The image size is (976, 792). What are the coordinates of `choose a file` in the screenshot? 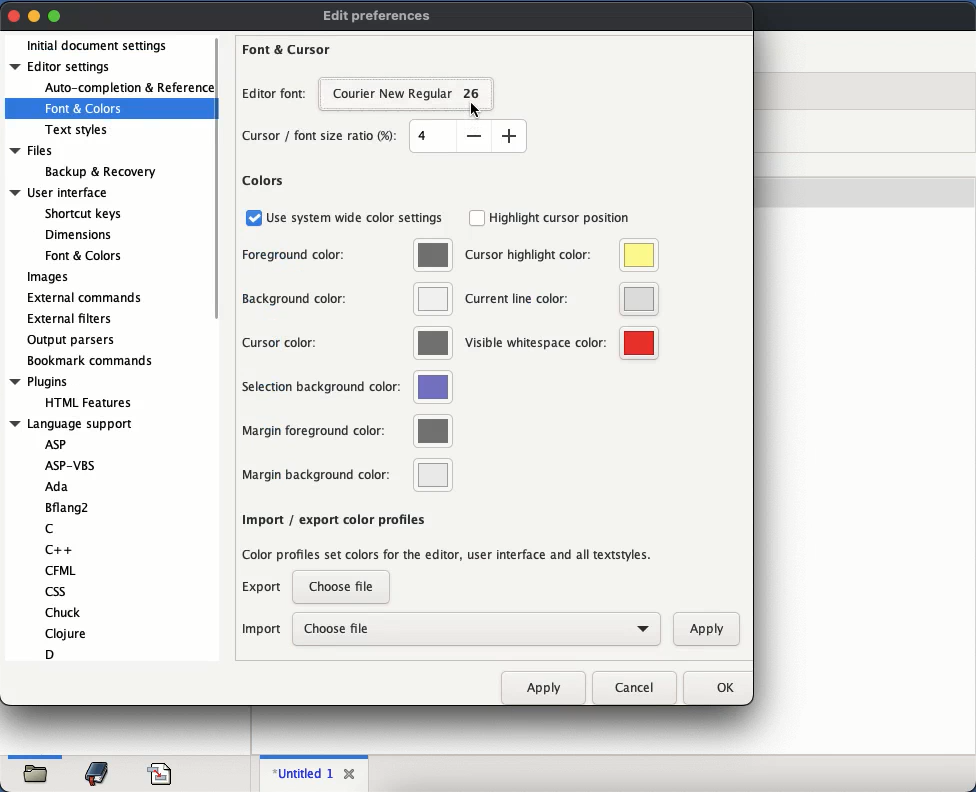 It's located at (341, 586).